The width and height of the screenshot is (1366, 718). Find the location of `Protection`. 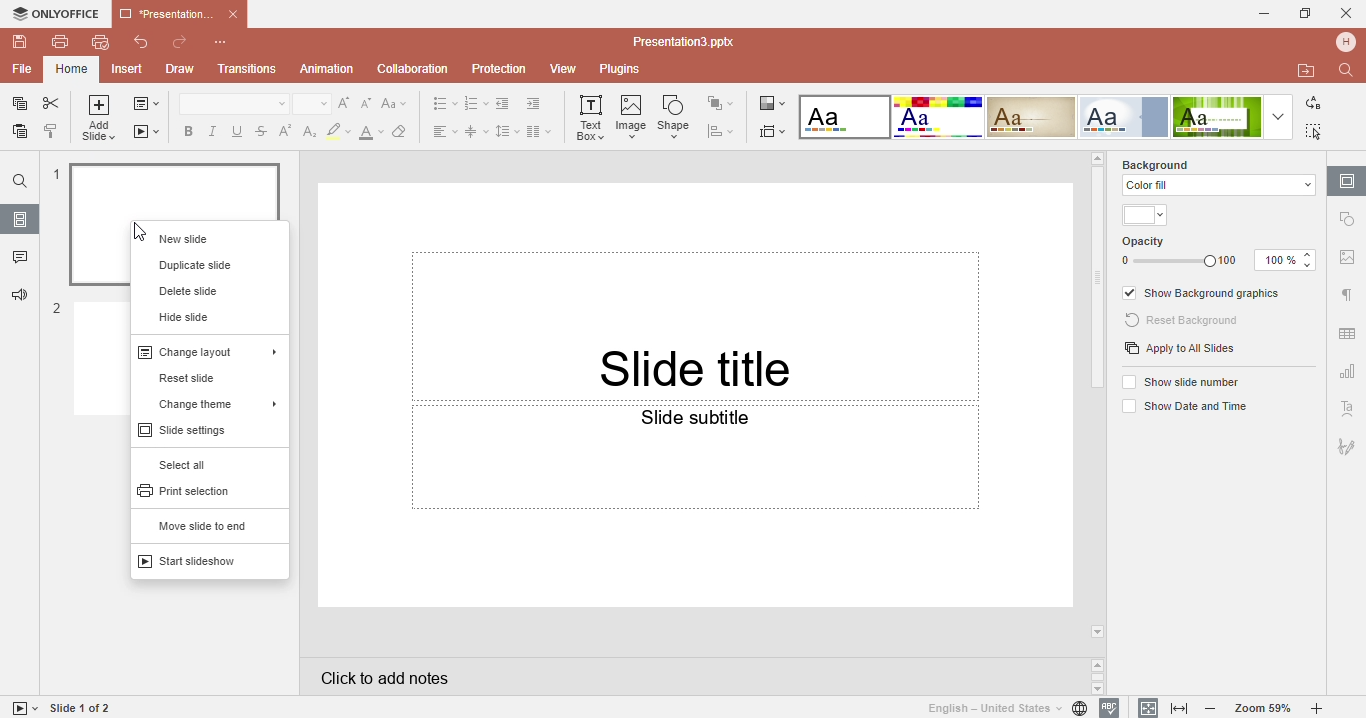

Protection is located at coordinates (502, 68).